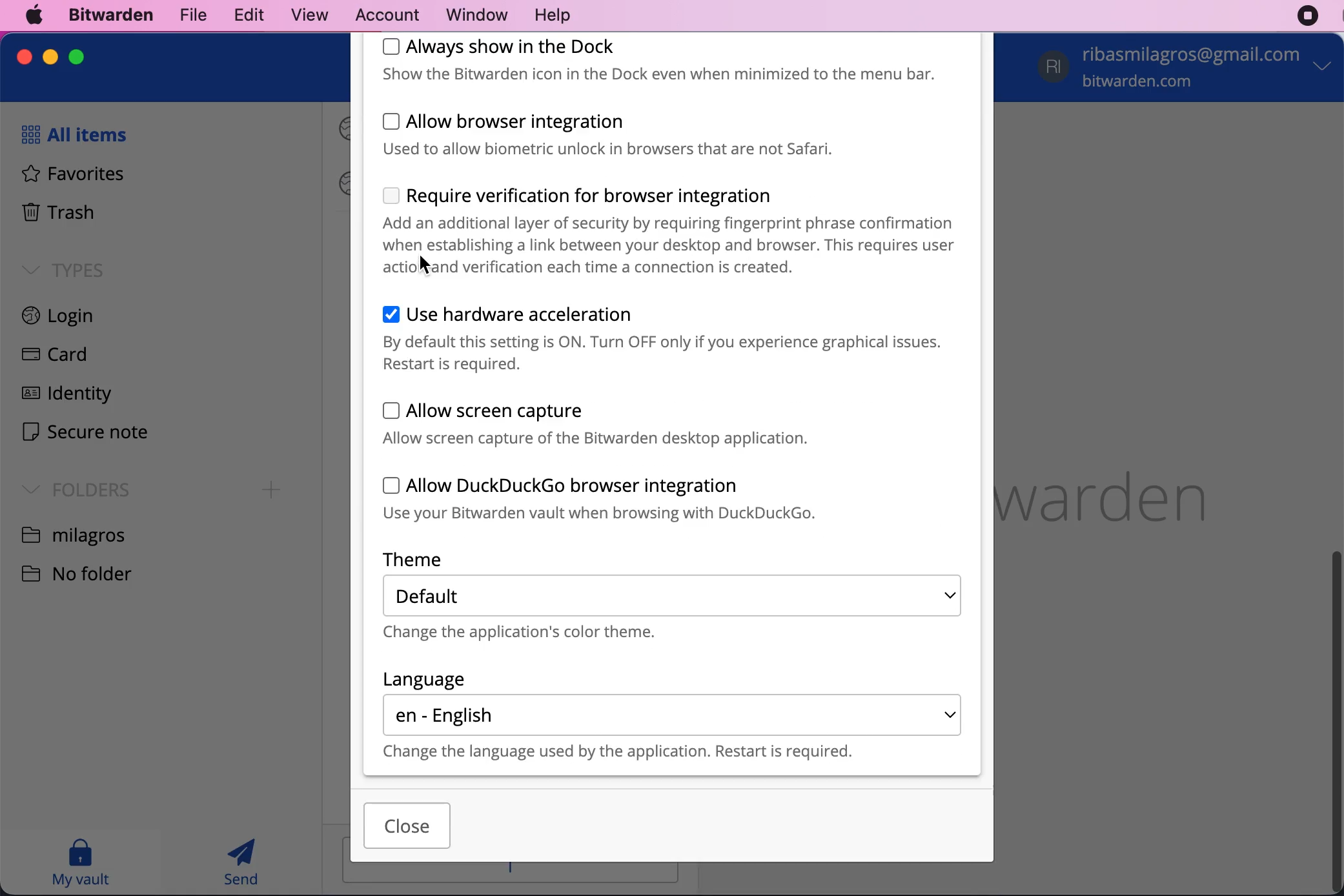 Image resolution: width=1344 pixels, height=896 pixels. Describe the element at coordinates (425, 679) in the screenshot. I see `language` at that location.